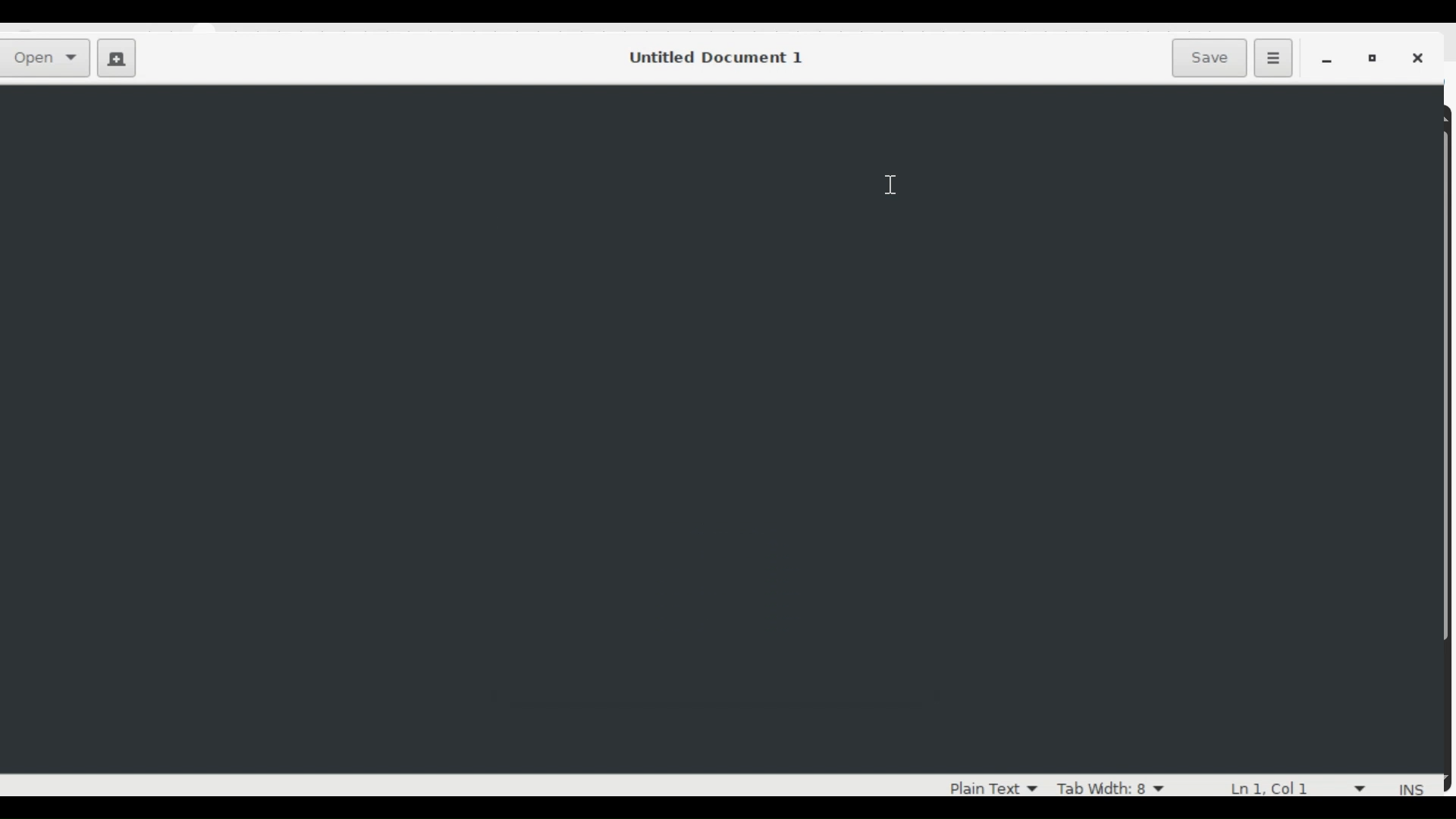  Describe the element at coordinates (116, 60) in the screenshot. I see `Create a new Document` at that location.